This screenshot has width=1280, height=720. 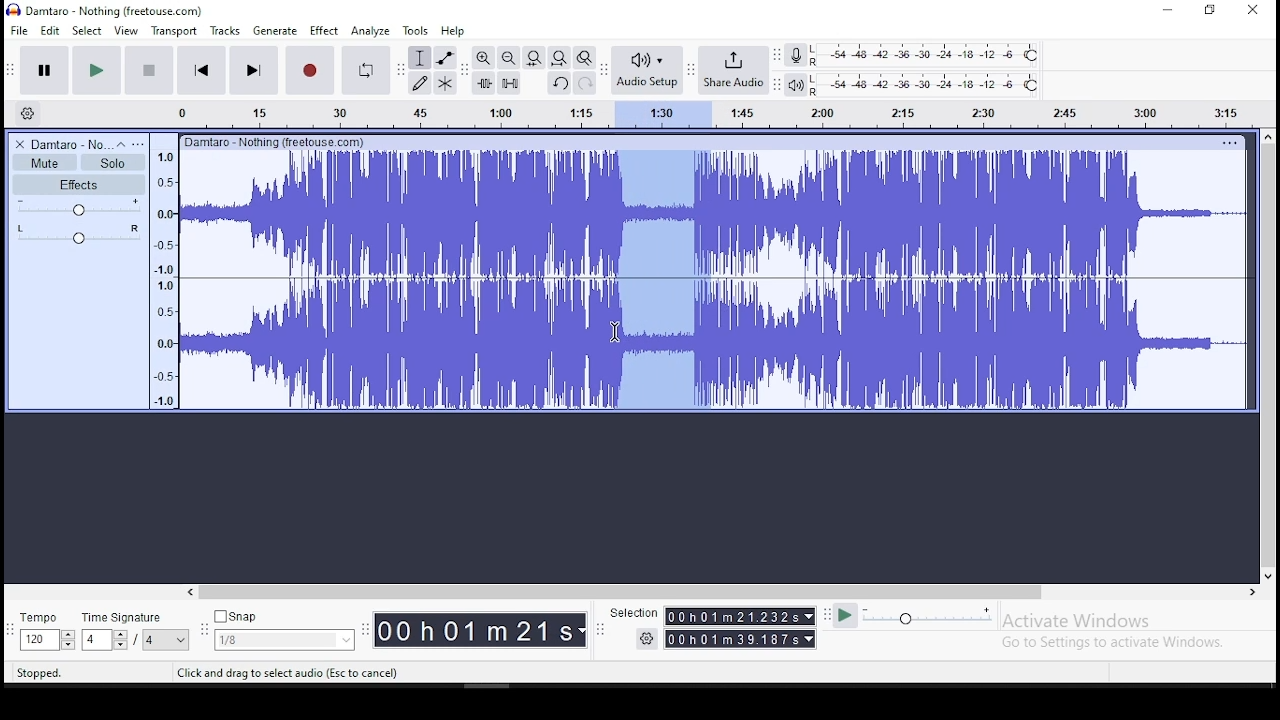 I want to click on selection tool, so click(x=421, y=58).